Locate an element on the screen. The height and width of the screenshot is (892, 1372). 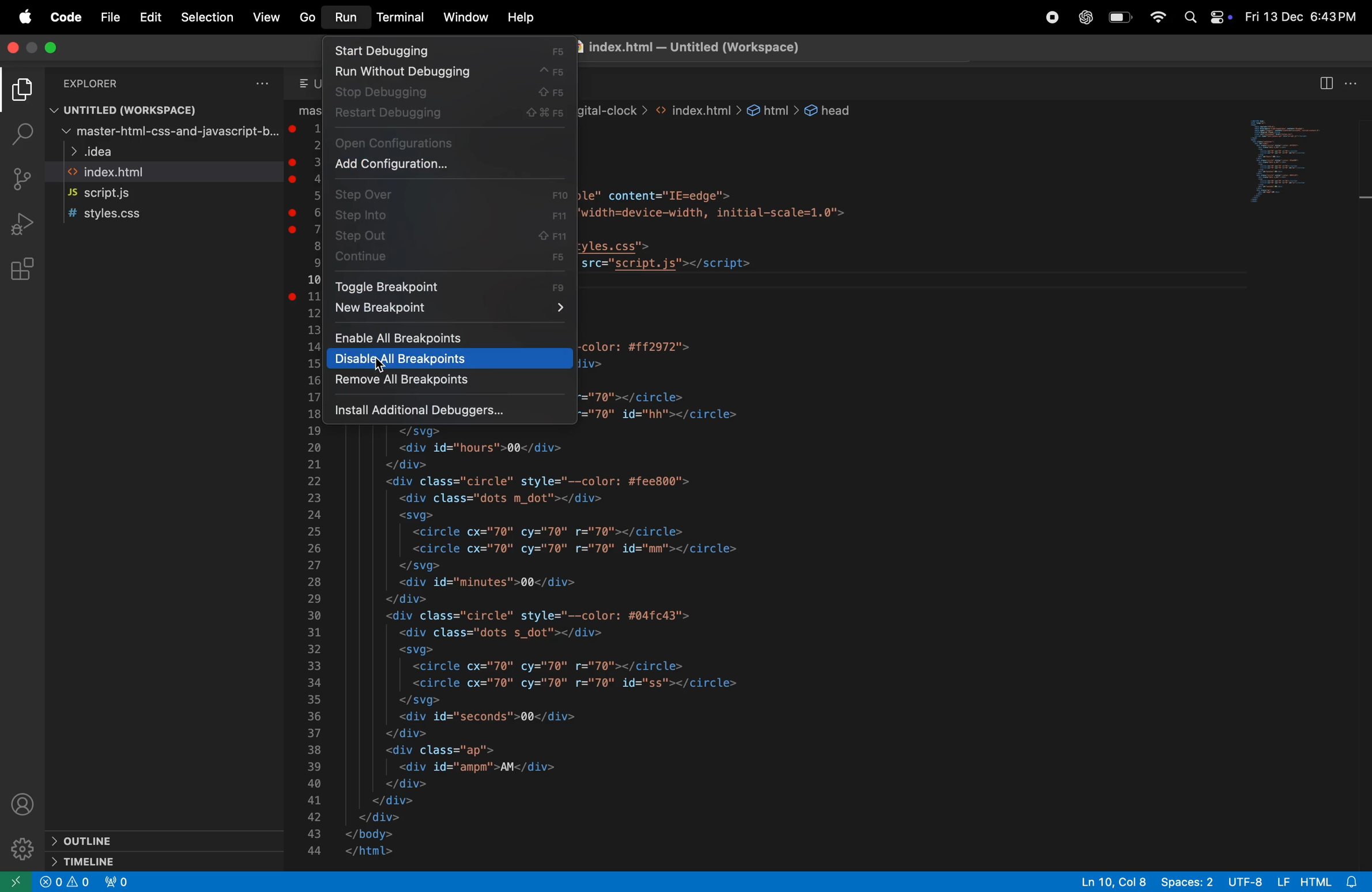
stop debugging is located at coordinates (453, 93).